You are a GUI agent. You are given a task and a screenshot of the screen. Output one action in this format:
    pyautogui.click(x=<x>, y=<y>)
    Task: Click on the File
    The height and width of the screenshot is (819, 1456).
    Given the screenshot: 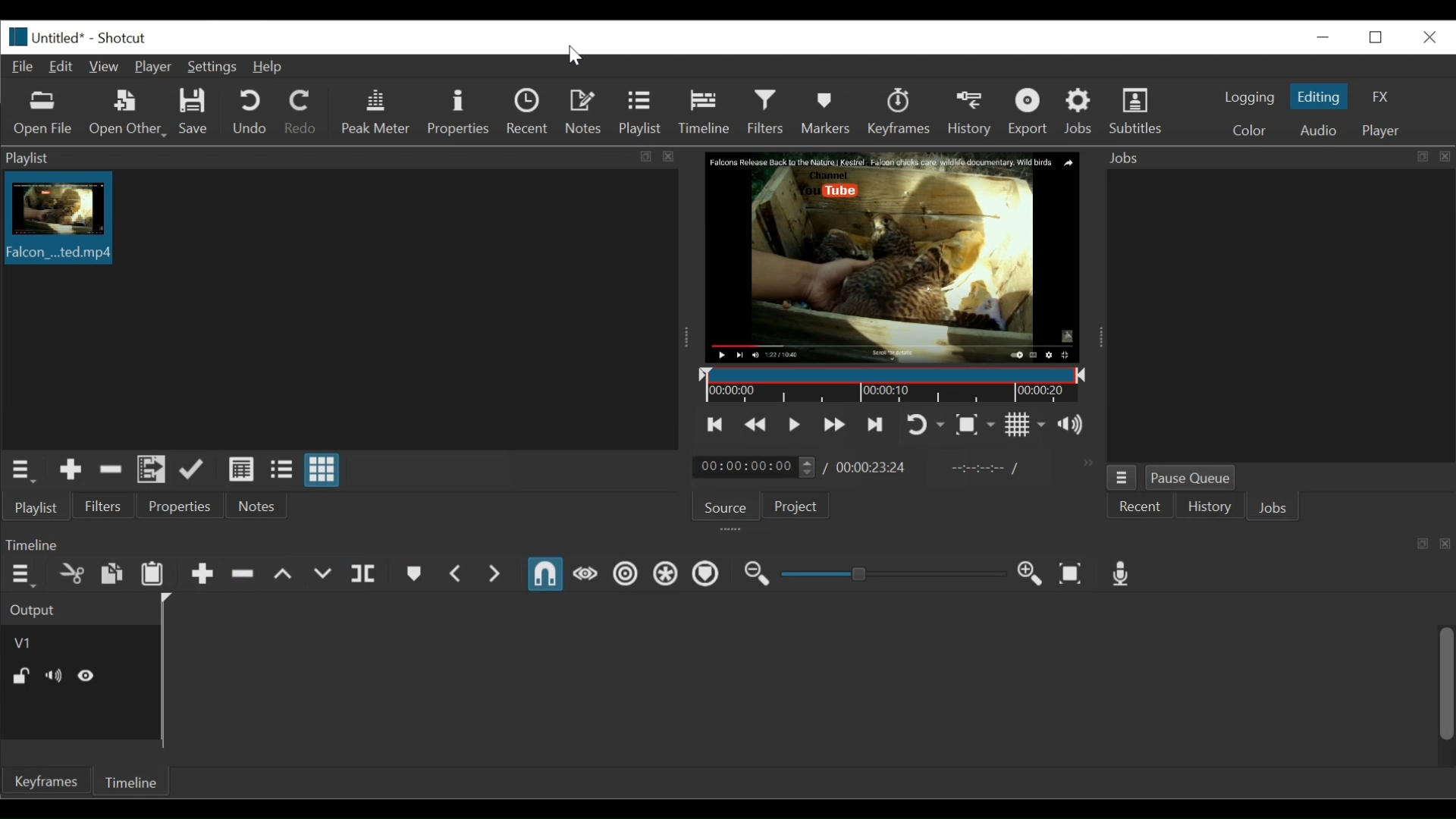 What is the action you would take?
    pyautogui.click(x=22, y=66)
    